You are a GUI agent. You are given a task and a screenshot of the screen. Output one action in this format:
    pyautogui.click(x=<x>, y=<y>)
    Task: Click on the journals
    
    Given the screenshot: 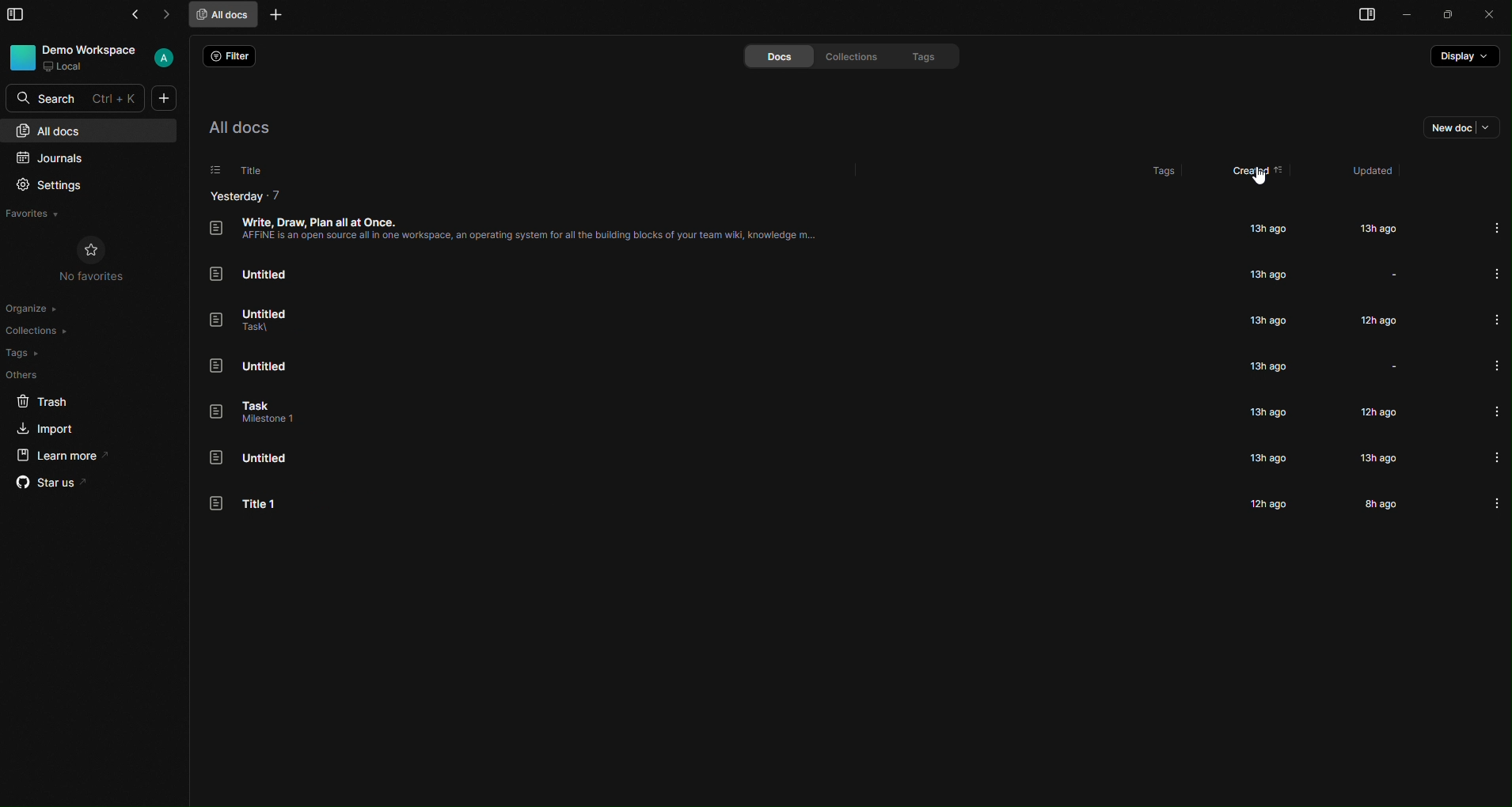 What is the action you would take?
    pyautogui.click(x=56, y=157)
    